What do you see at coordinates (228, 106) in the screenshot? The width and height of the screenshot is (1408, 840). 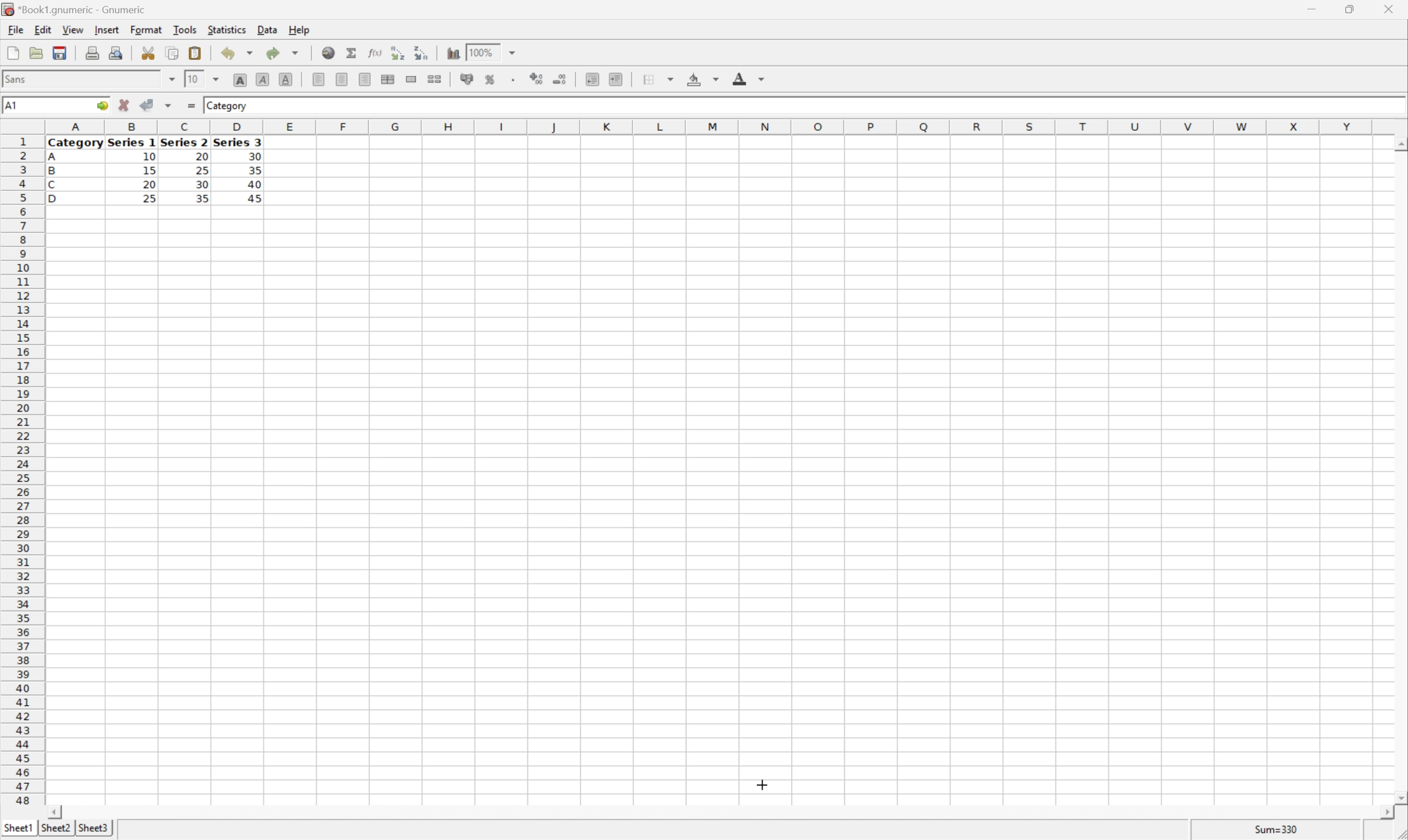 I see `Category` at bounding box center [228, 106].